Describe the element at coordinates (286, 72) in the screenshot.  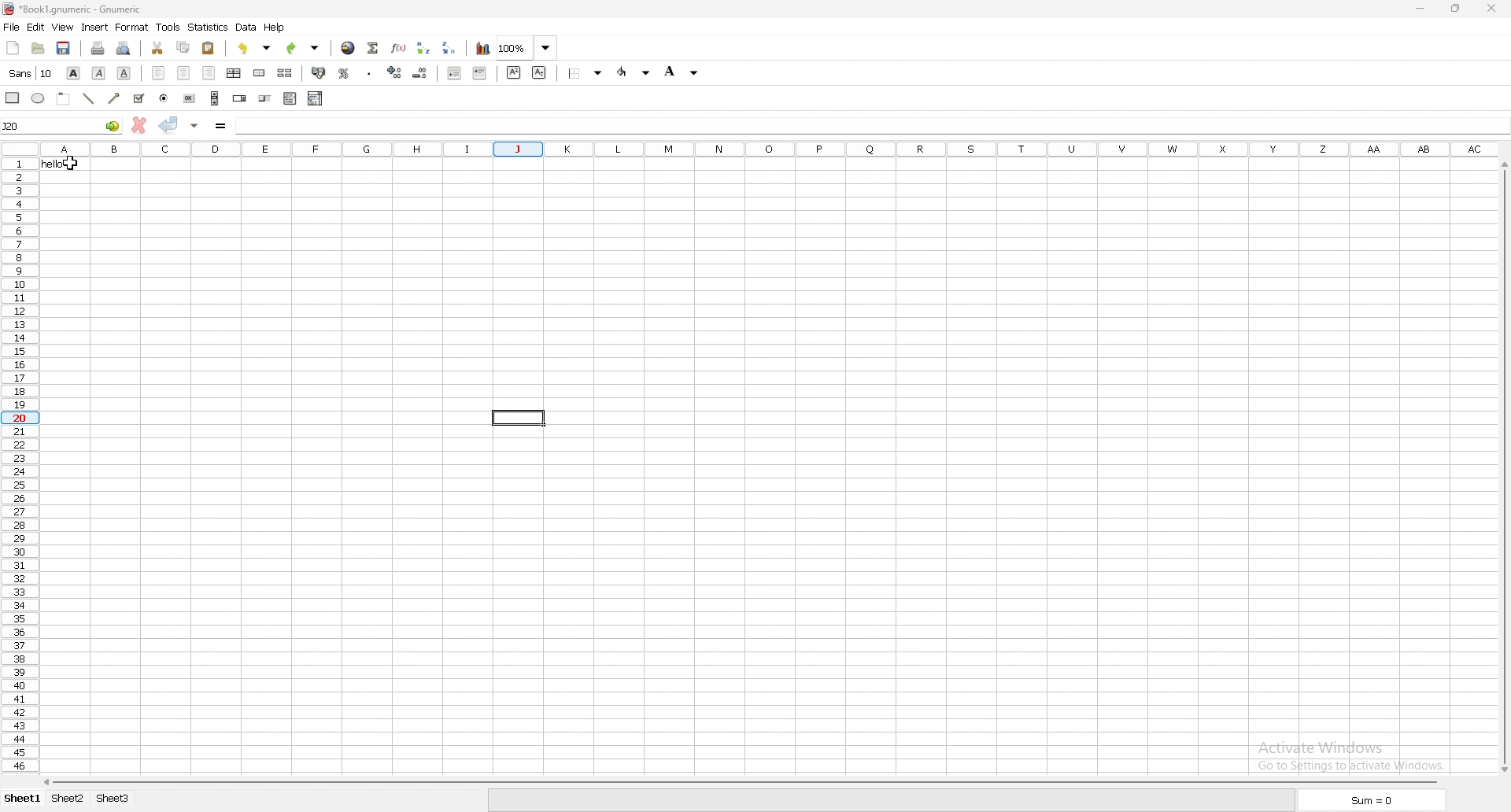
I see `split merged cell` at that location.